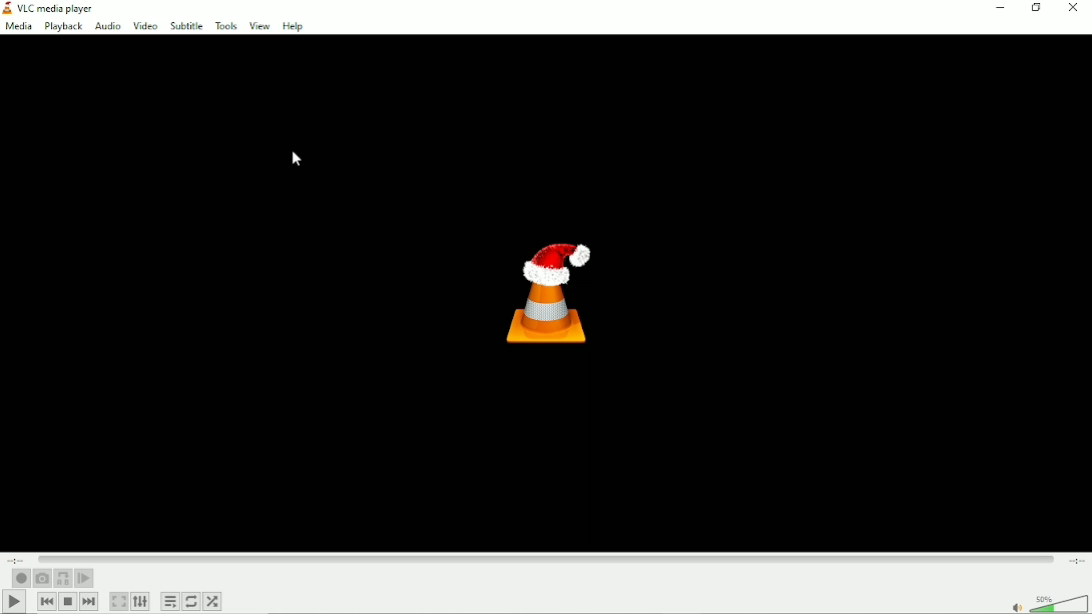 The width and height of the screenshot is (1092, 614). What do you see at coordinates (543, 300) in the screenshot?
I see `vlc Logo` at bounding box center [543, 300].